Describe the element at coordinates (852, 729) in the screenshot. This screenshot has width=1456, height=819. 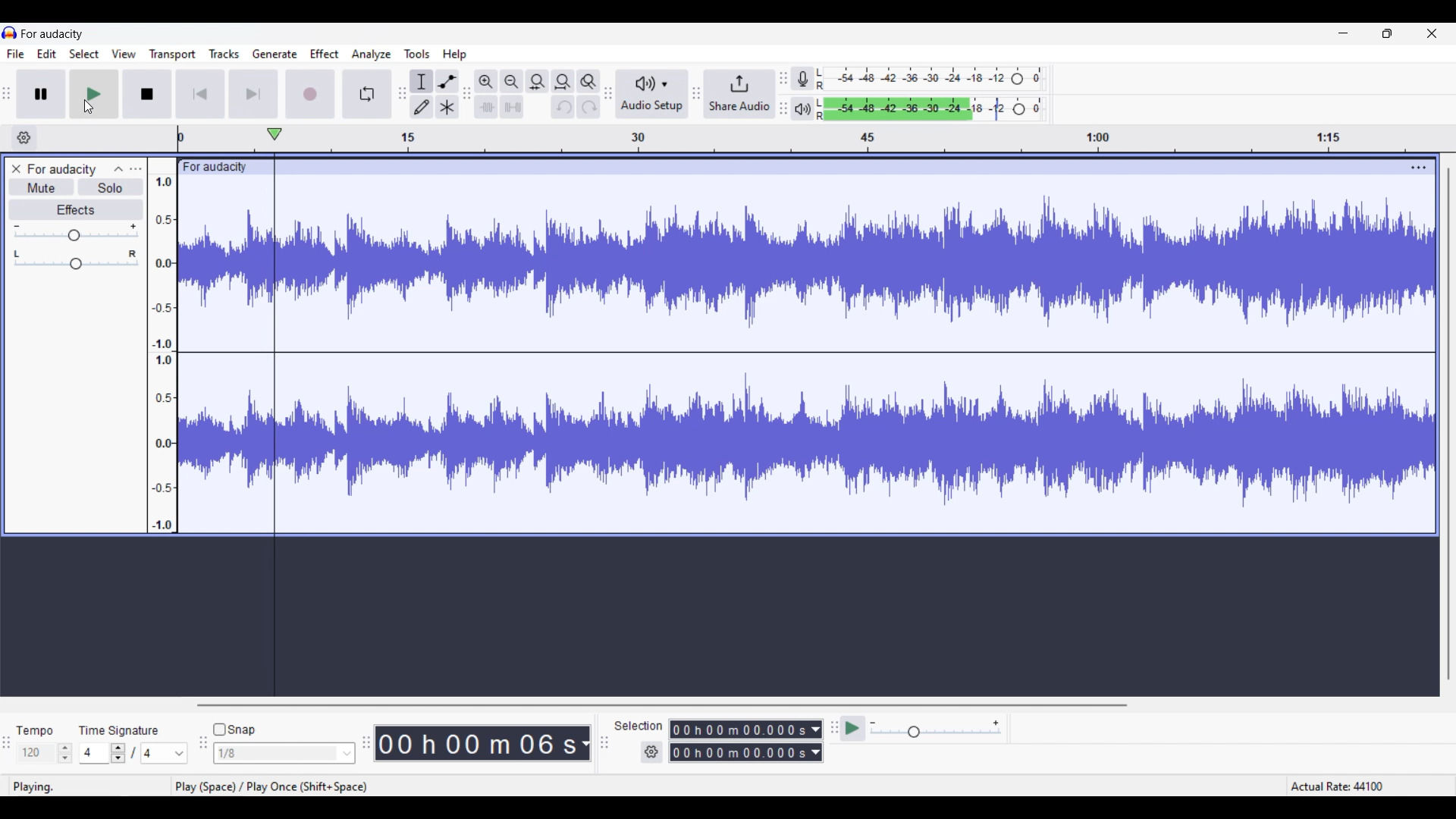
I see `Pay at speed/Play at speed once` at that location.